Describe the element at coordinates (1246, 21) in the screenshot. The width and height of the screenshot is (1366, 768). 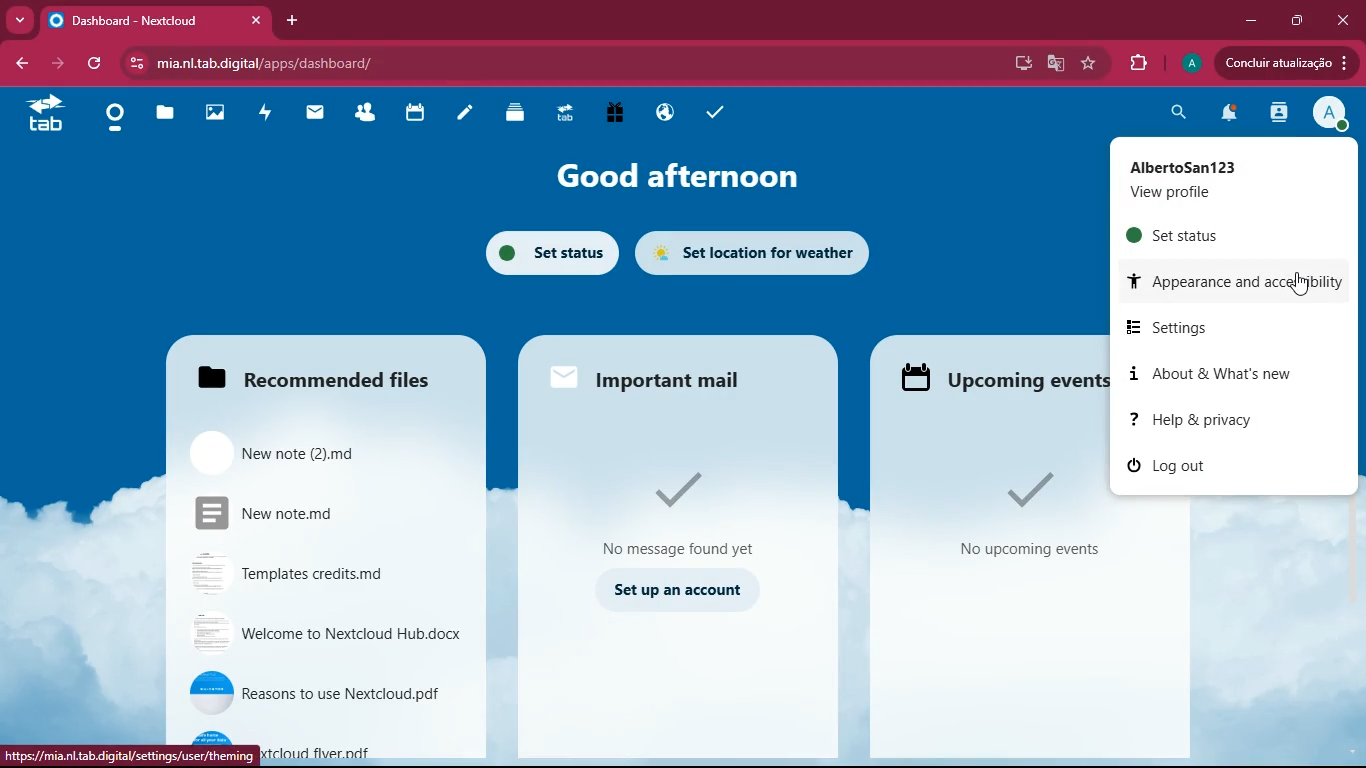
I see `minimize` at that location.